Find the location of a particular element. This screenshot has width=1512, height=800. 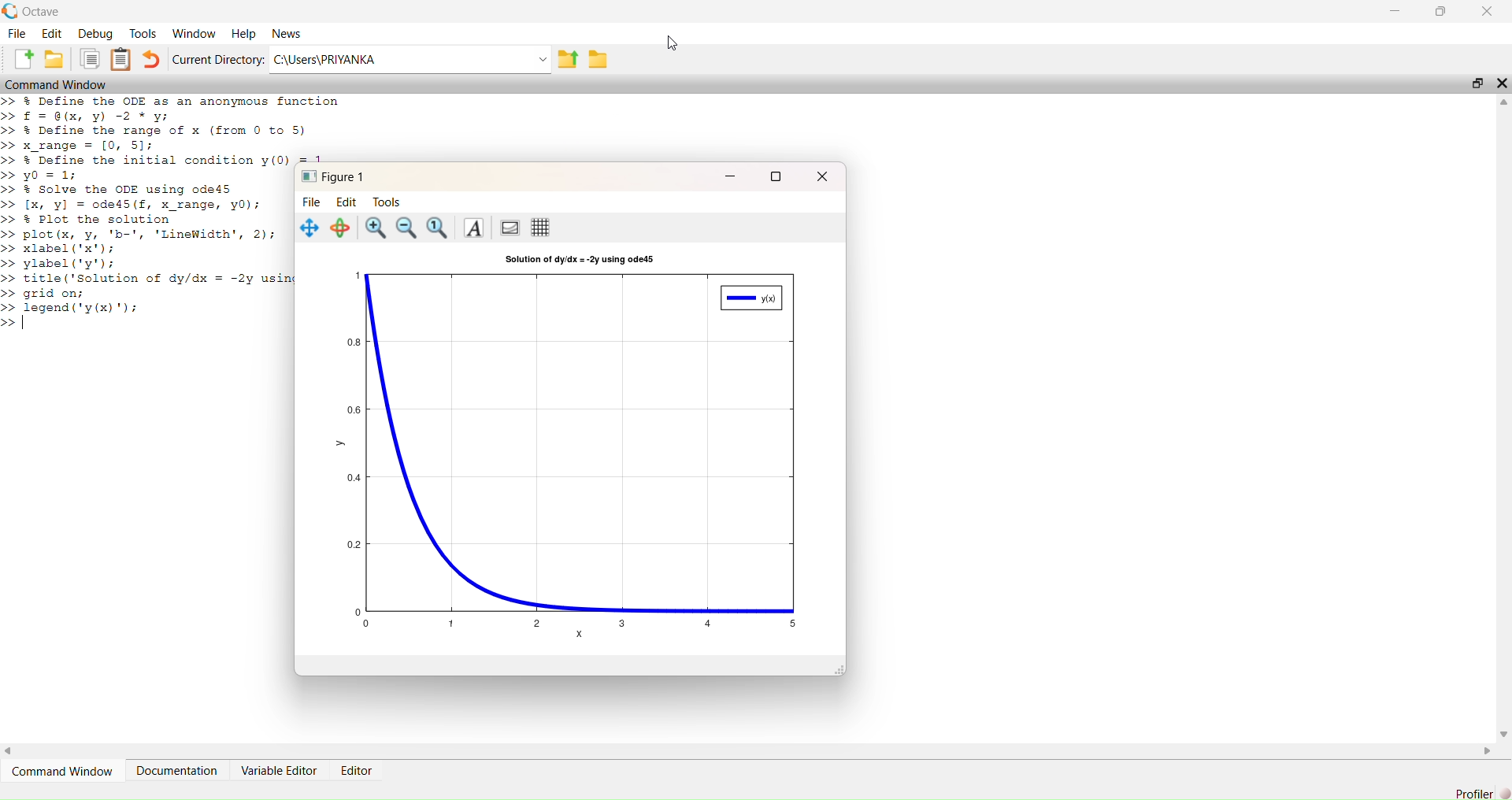

Zoom in is located at coordinates (375, 228).